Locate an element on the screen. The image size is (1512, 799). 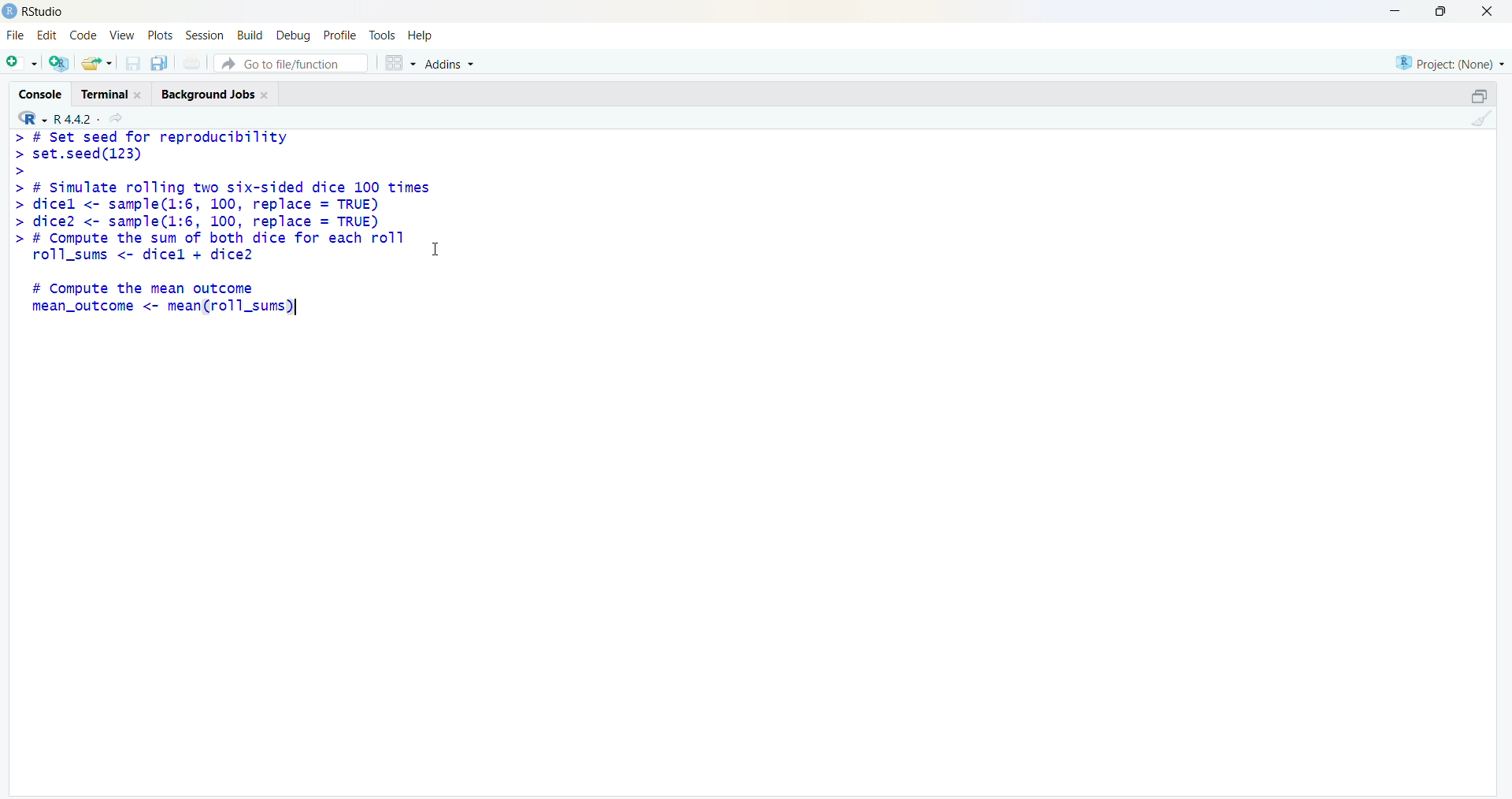
profile is located at coordinates (342, 36).